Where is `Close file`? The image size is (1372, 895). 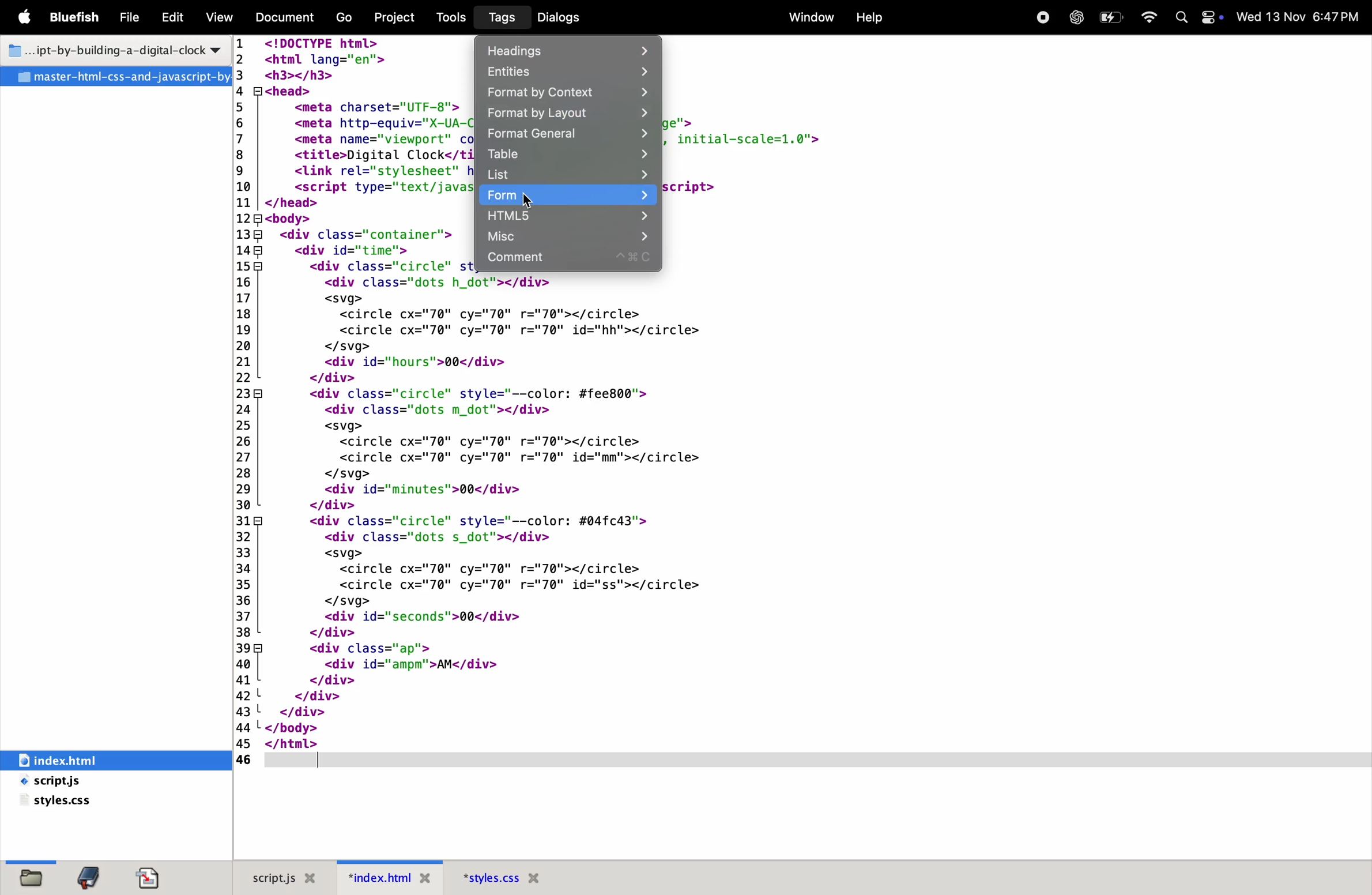 Close file is located at coordinates (314, 878).